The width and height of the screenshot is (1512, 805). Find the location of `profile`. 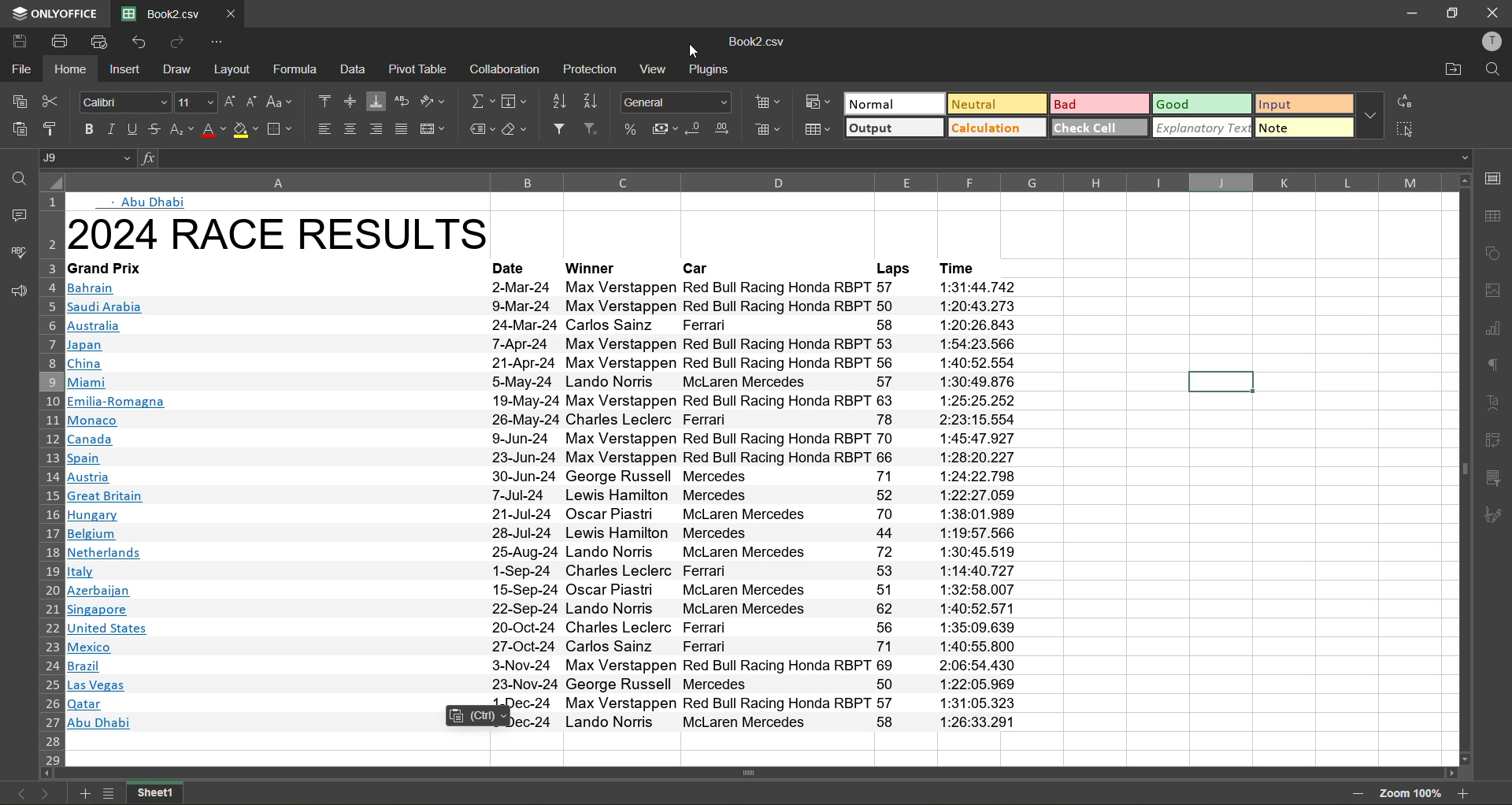

profile is located at coordinates (1492, 39).